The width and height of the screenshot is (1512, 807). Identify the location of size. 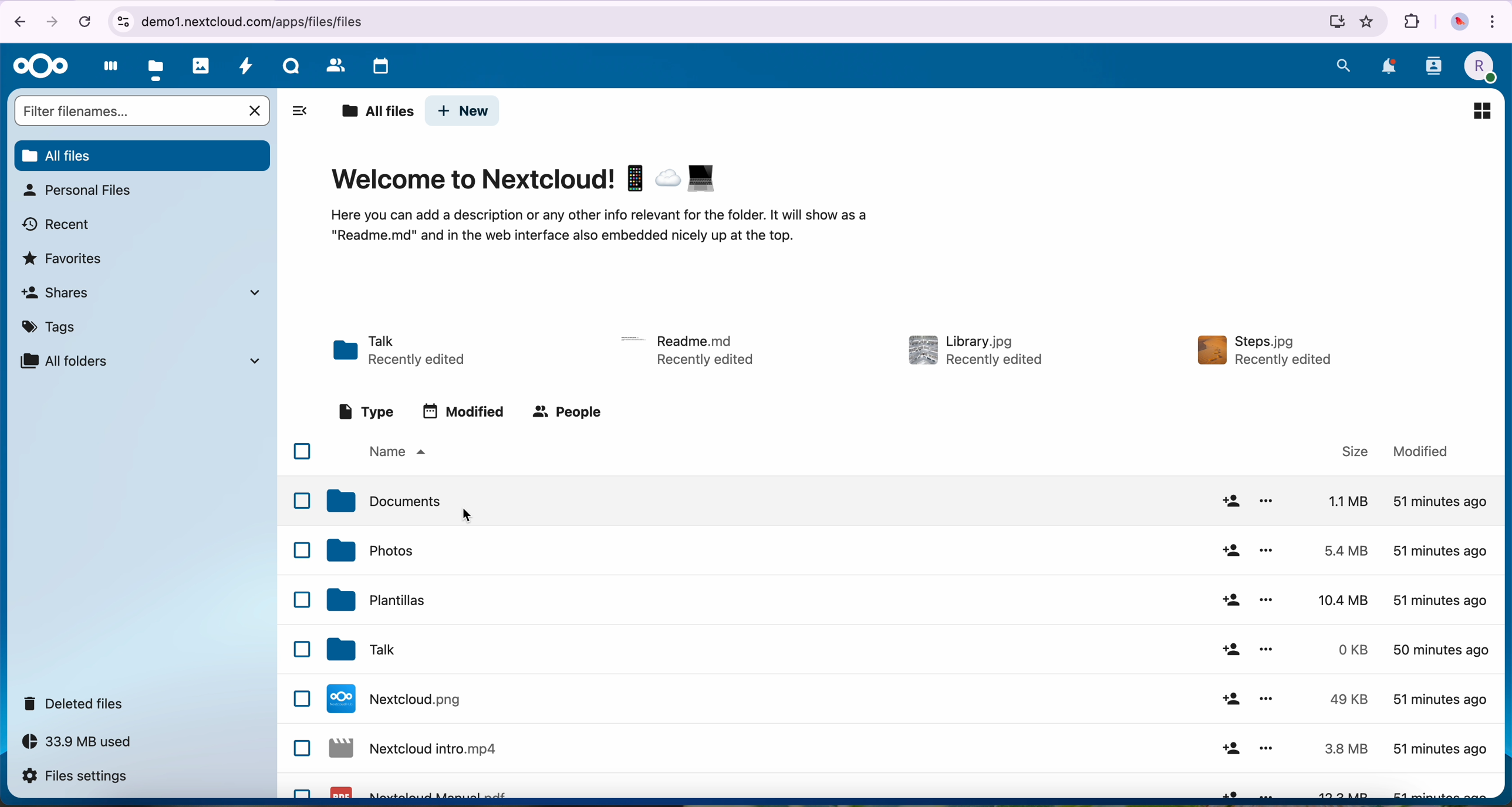
(1349, 501).